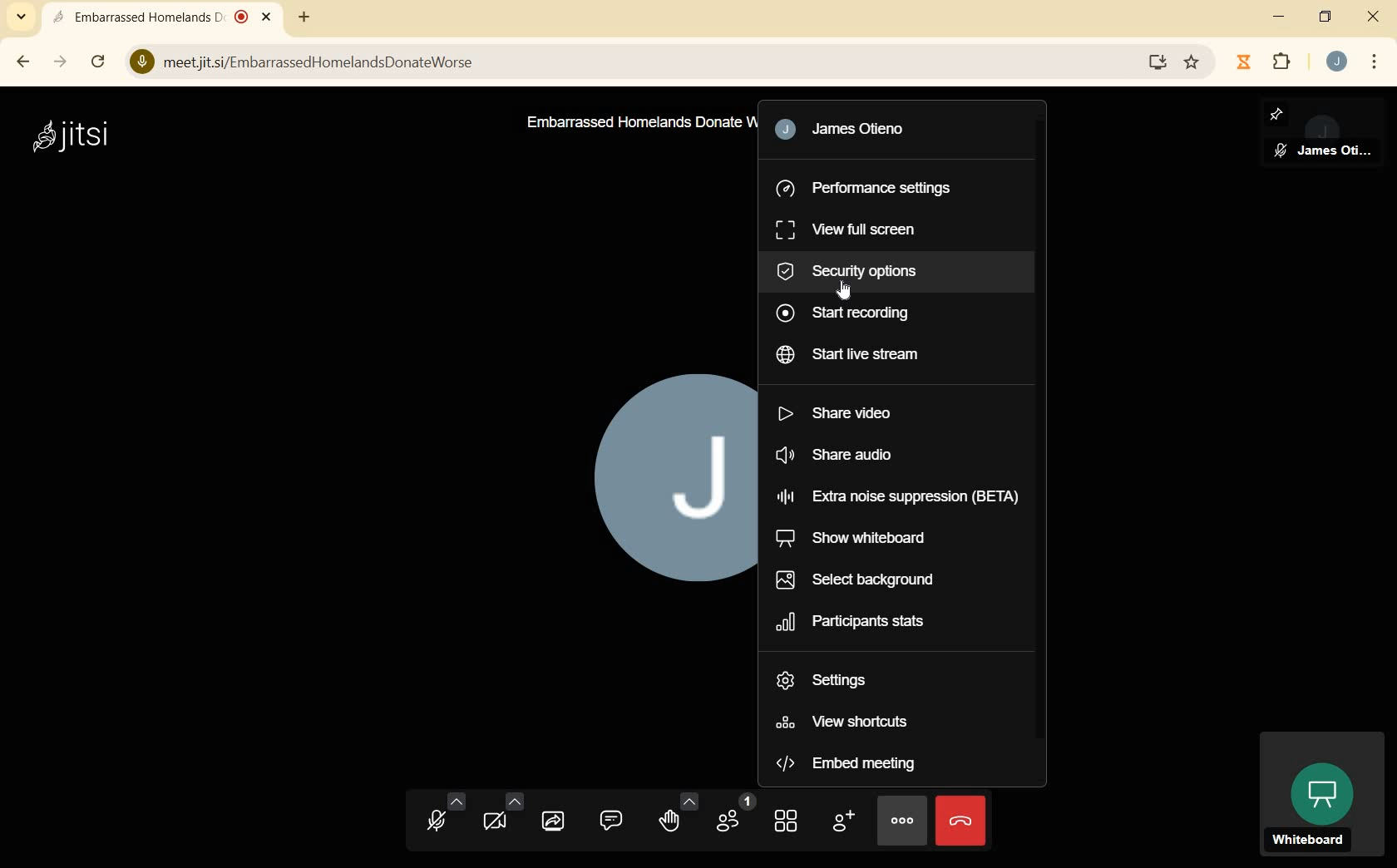  Describe the element at coordinates (845, 315) in the screenshot. I see `START RECORDING` at that location.